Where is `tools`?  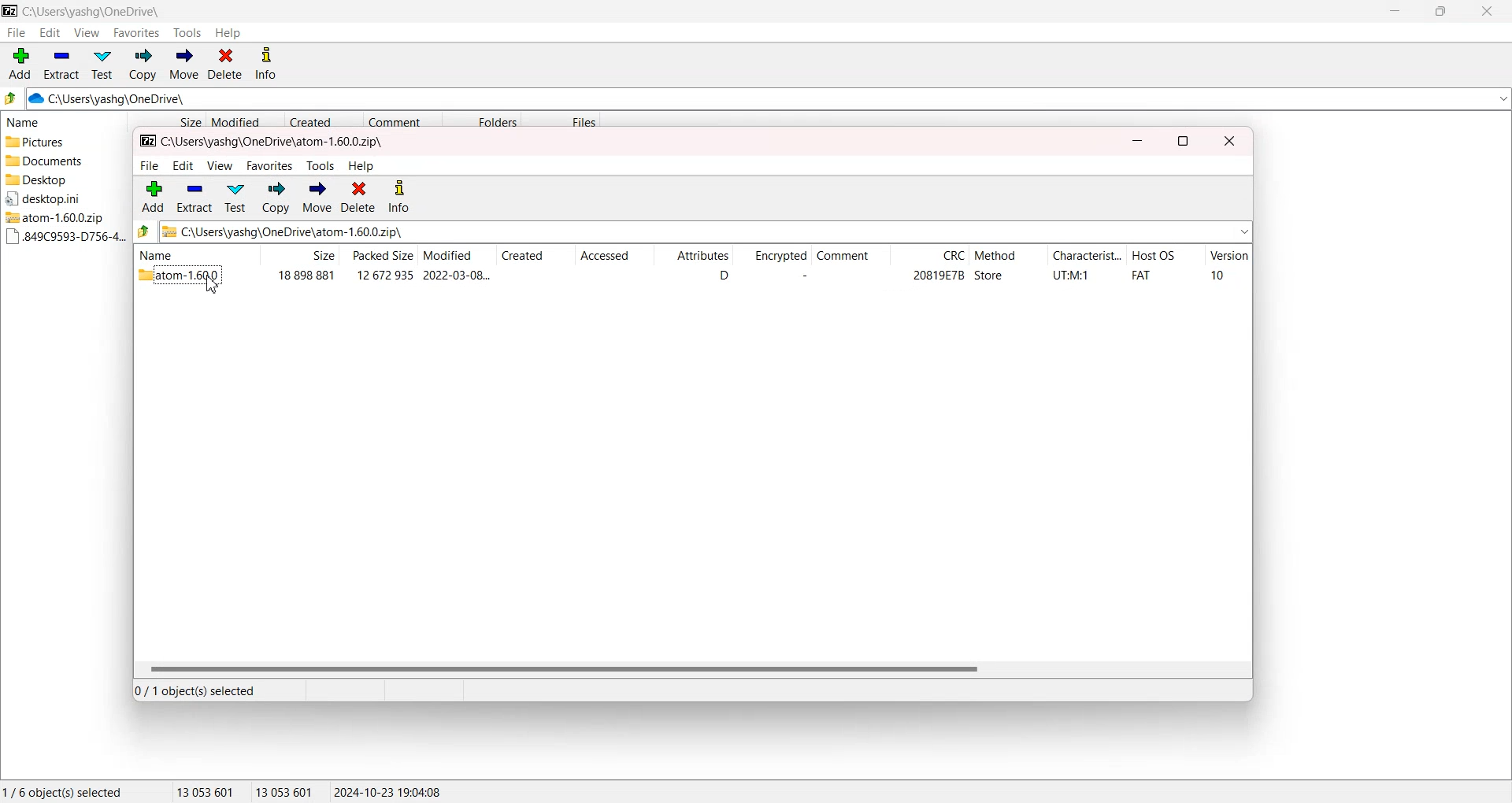
tools is located at coordinates (321, 166).